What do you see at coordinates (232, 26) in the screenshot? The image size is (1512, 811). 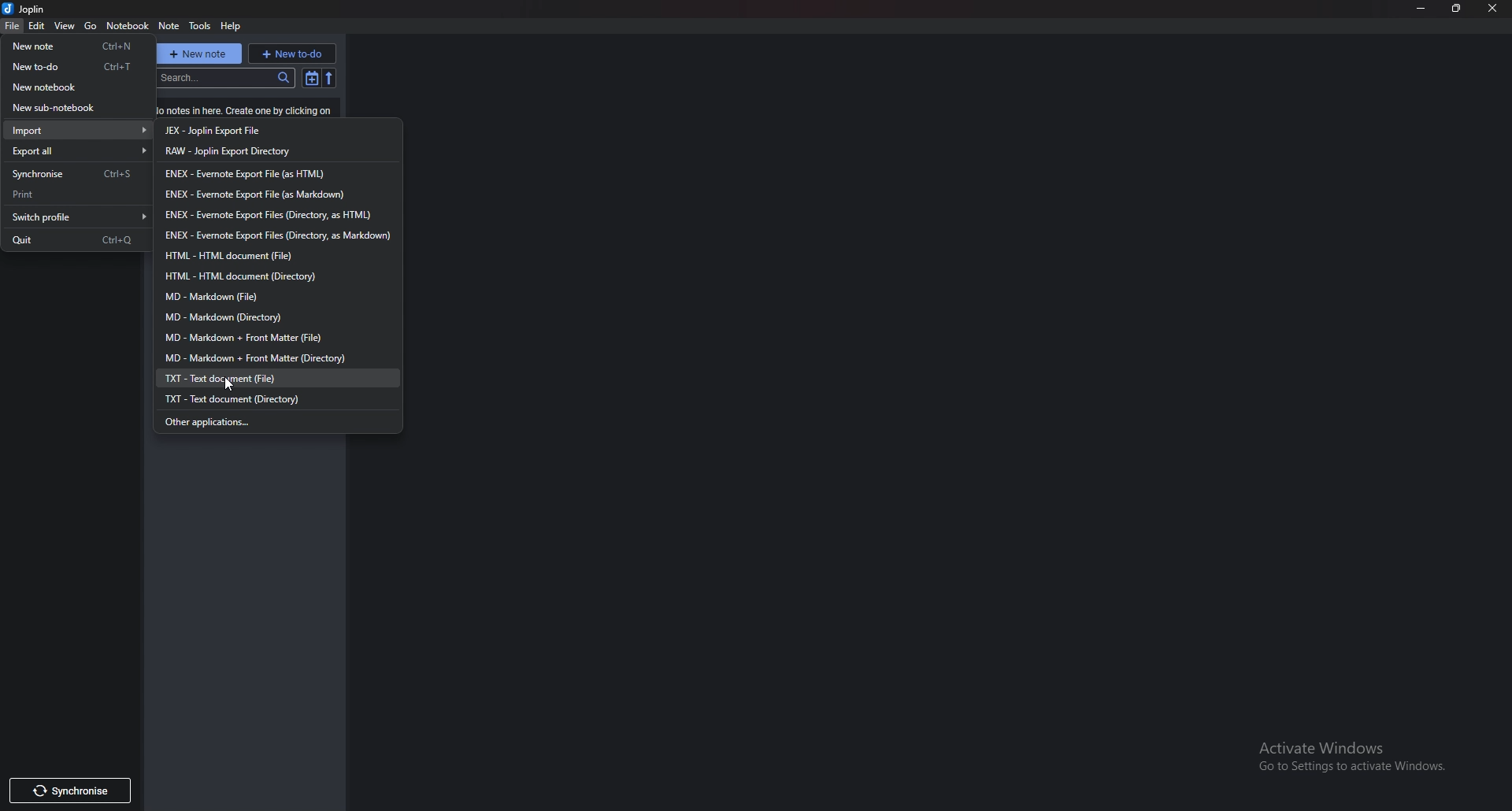 I see `help` at bounding box center [232, 26].